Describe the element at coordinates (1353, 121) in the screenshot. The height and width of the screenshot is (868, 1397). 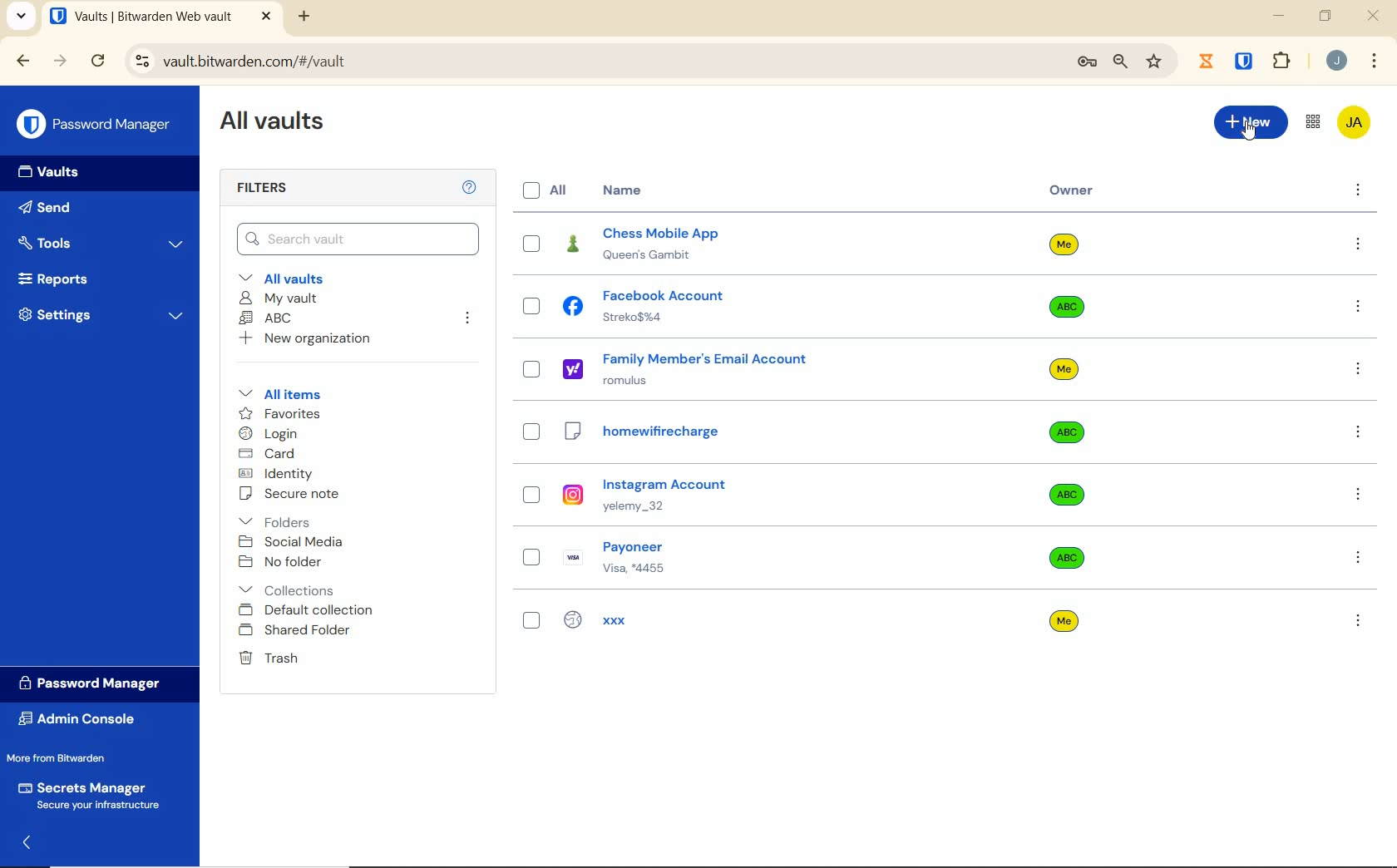
I see `Bitwarden Account` at that location.